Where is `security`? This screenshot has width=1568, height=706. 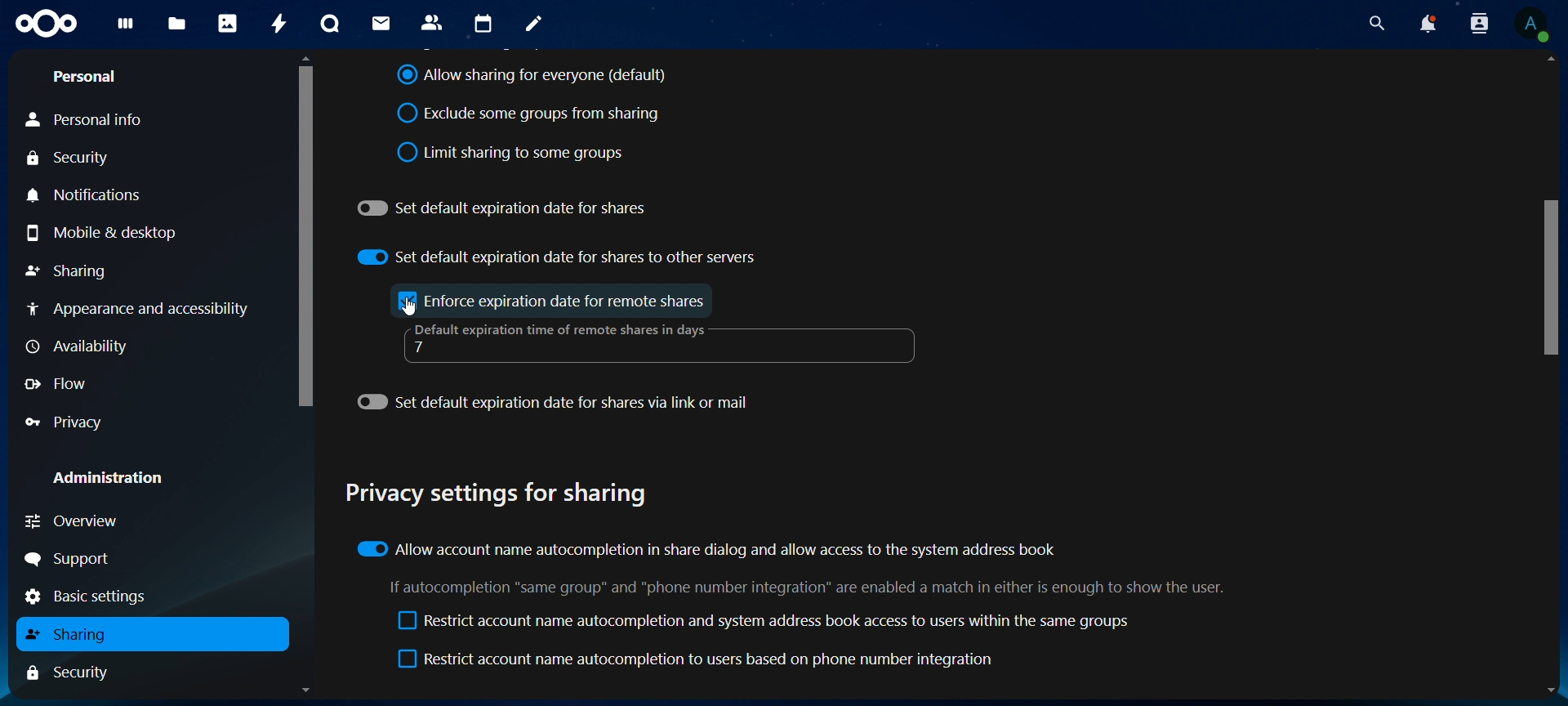
security is located at coordinates (78, 158).